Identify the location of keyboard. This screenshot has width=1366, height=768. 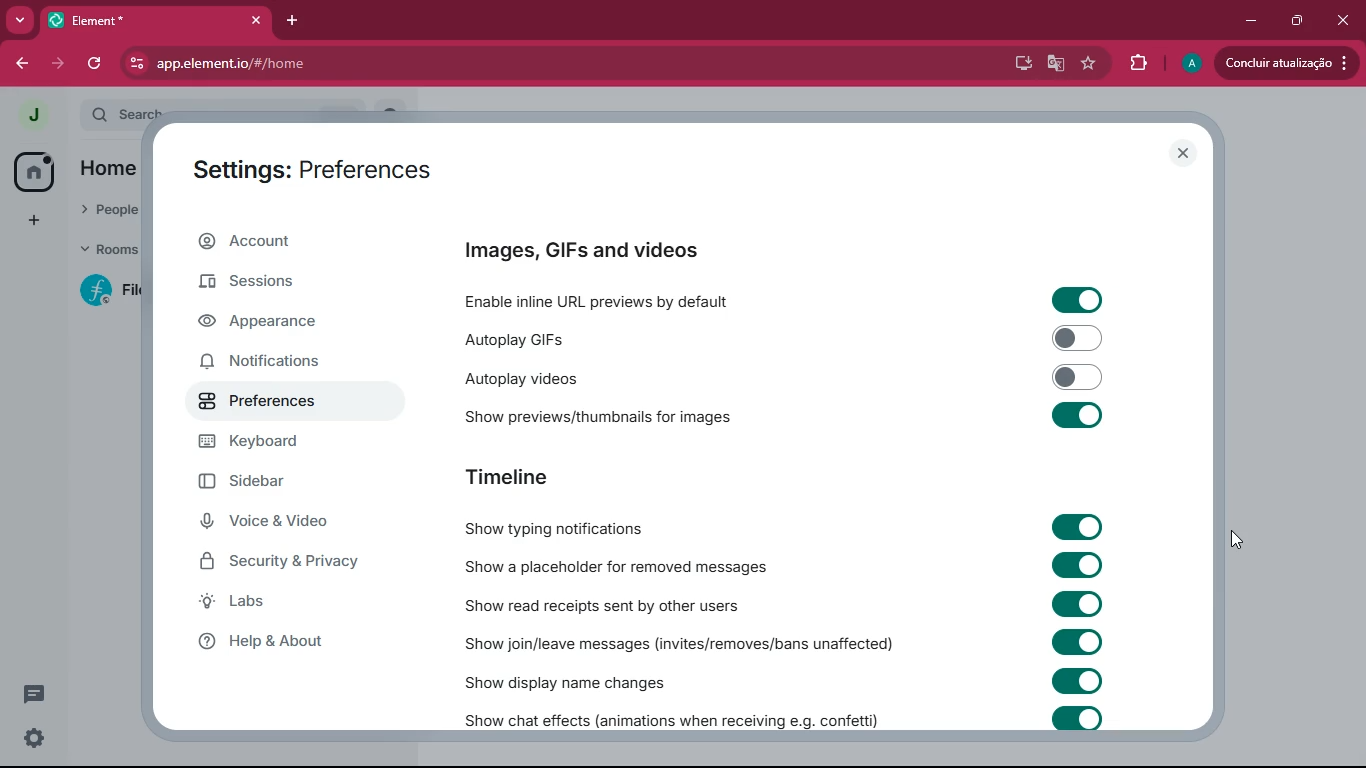
(262, 443).